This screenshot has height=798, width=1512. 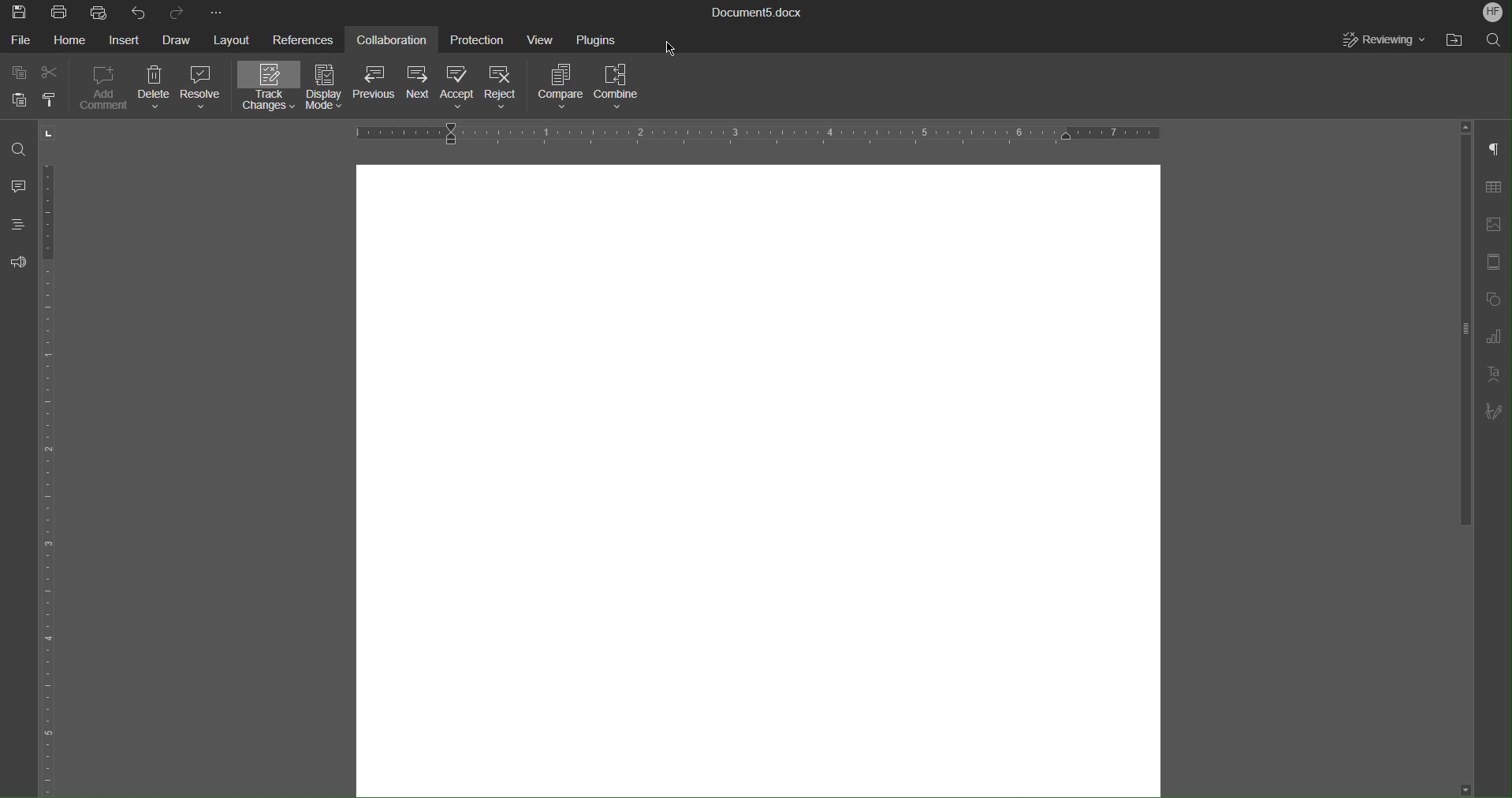 I want to click on Undo, so click(x=136, y=12).